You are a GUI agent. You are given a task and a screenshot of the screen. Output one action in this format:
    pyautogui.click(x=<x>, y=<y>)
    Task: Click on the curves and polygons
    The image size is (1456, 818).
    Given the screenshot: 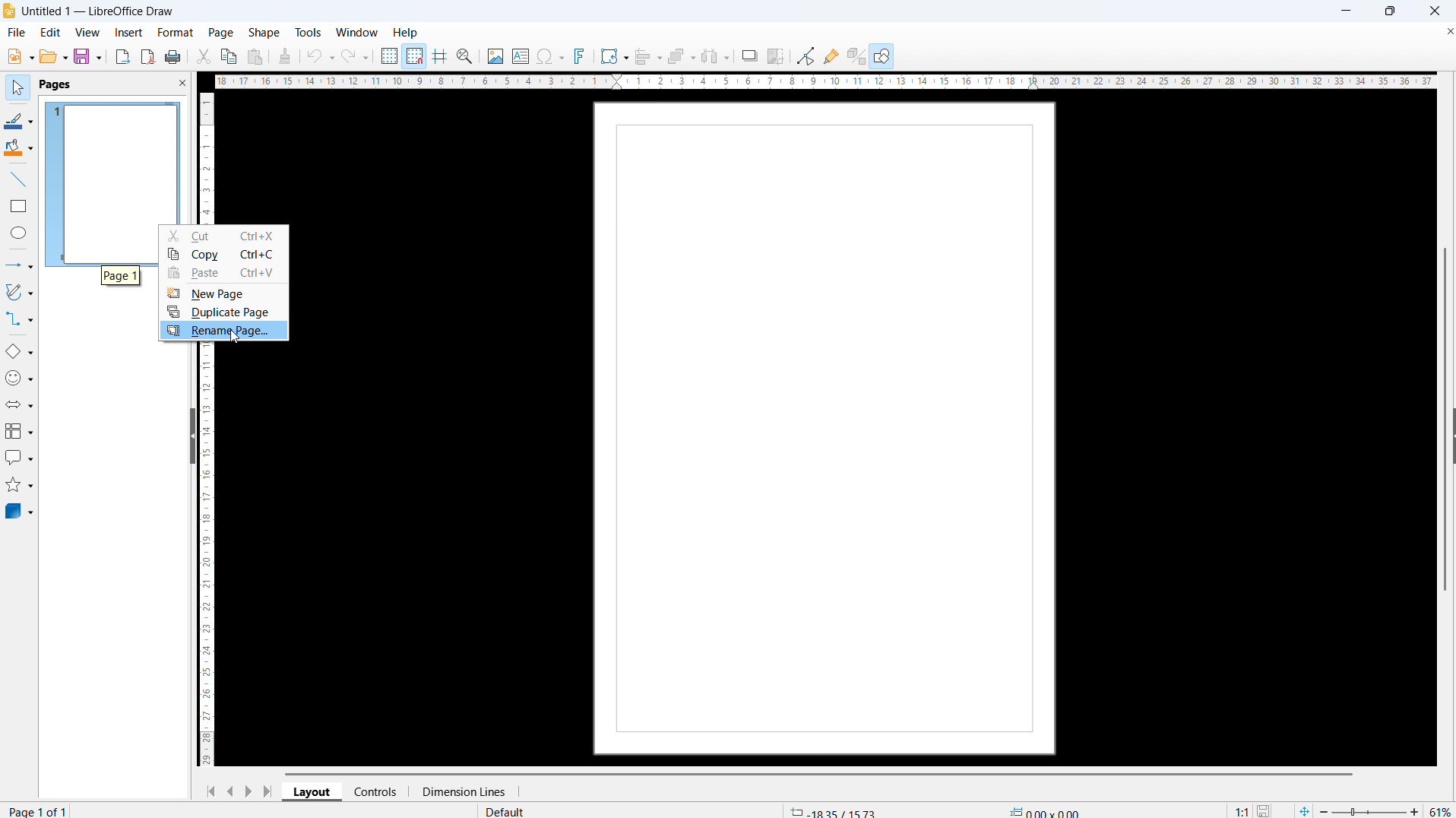 What is the action you would take?
    pyautogui.click(x=19, y=293)
    